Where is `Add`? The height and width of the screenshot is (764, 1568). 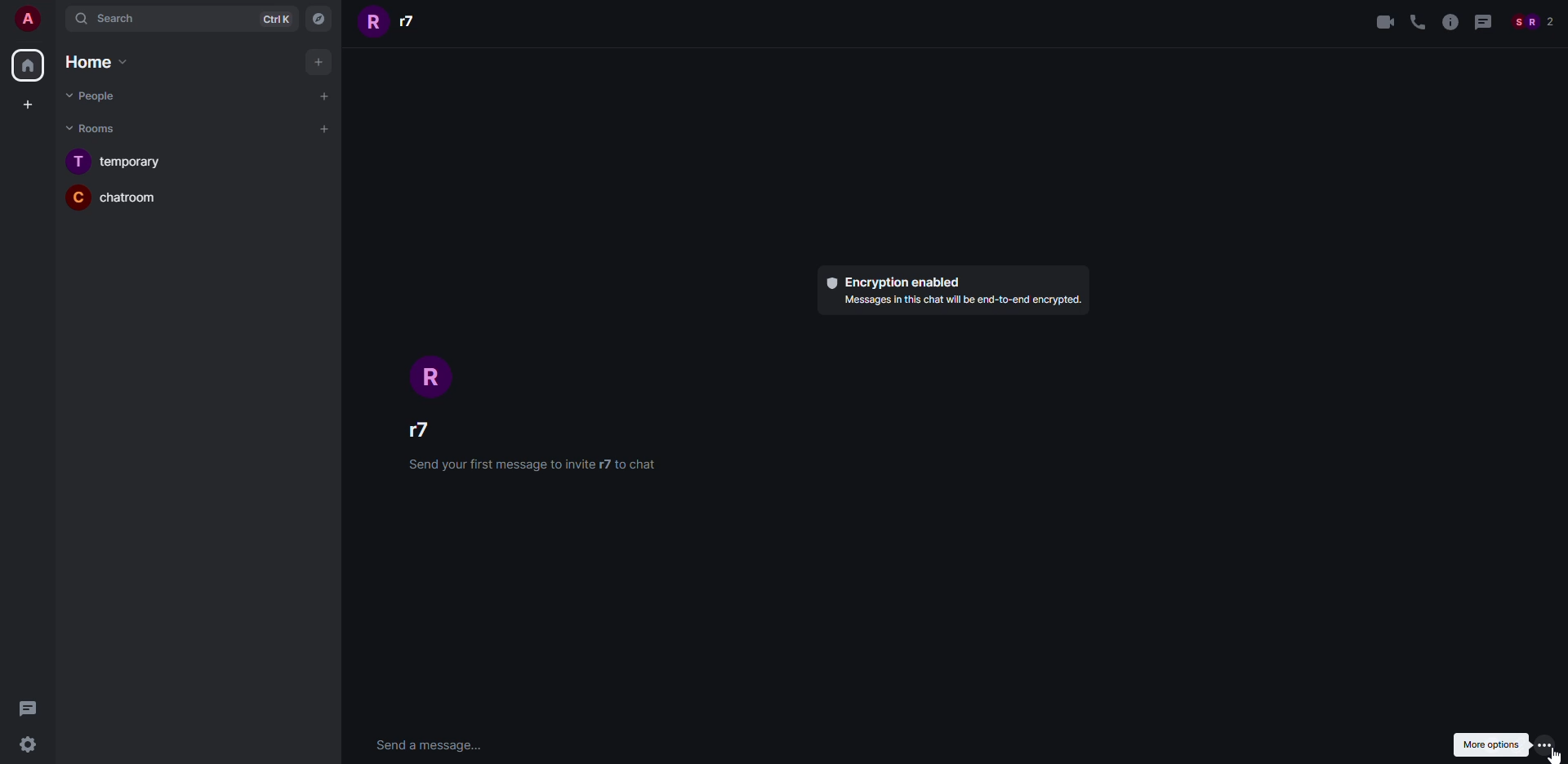
Add is located at coordinates (319, 60).